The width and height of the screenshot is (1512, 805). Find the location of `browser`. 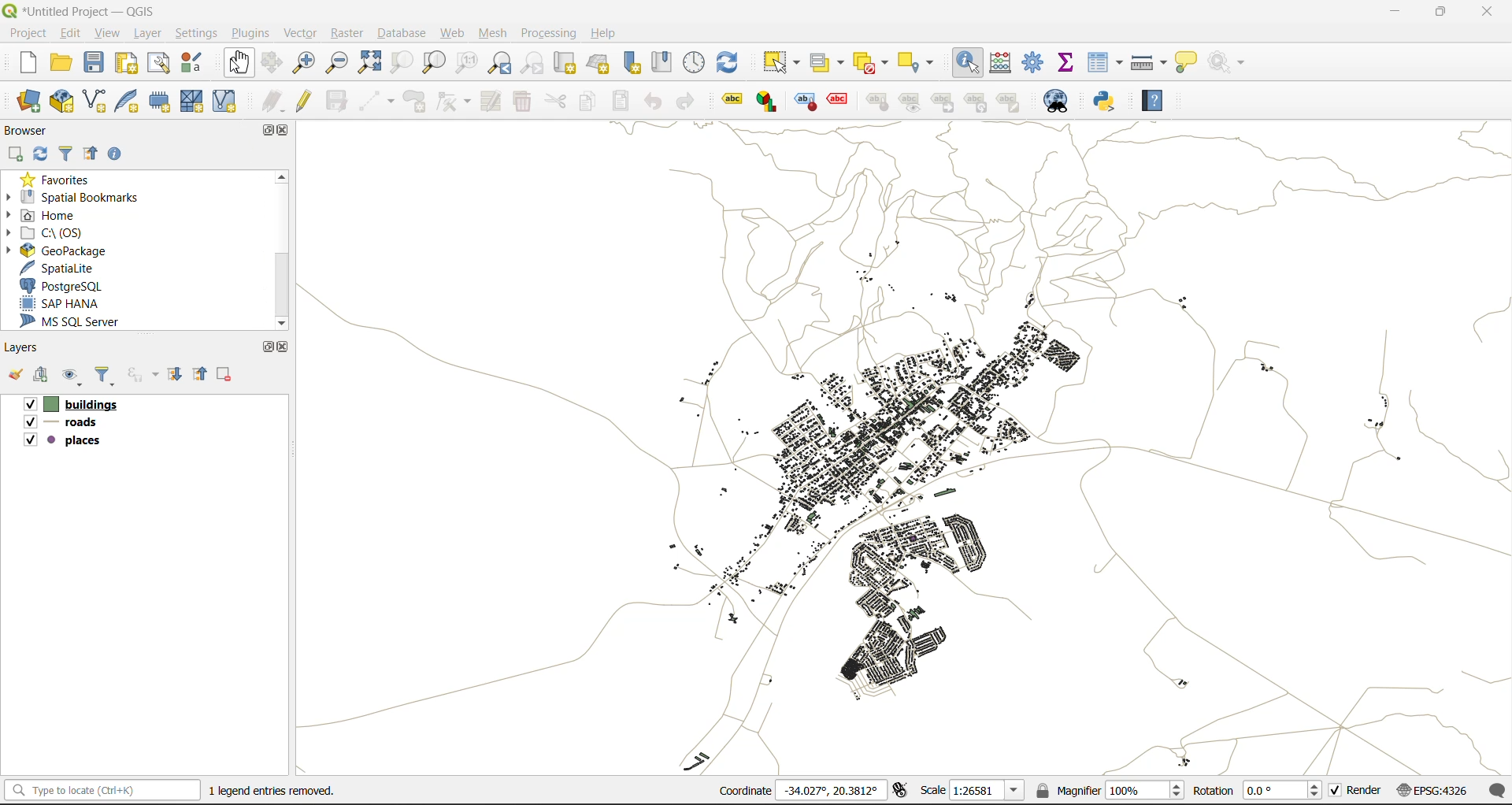

browser is located at coordinates (28, 128).